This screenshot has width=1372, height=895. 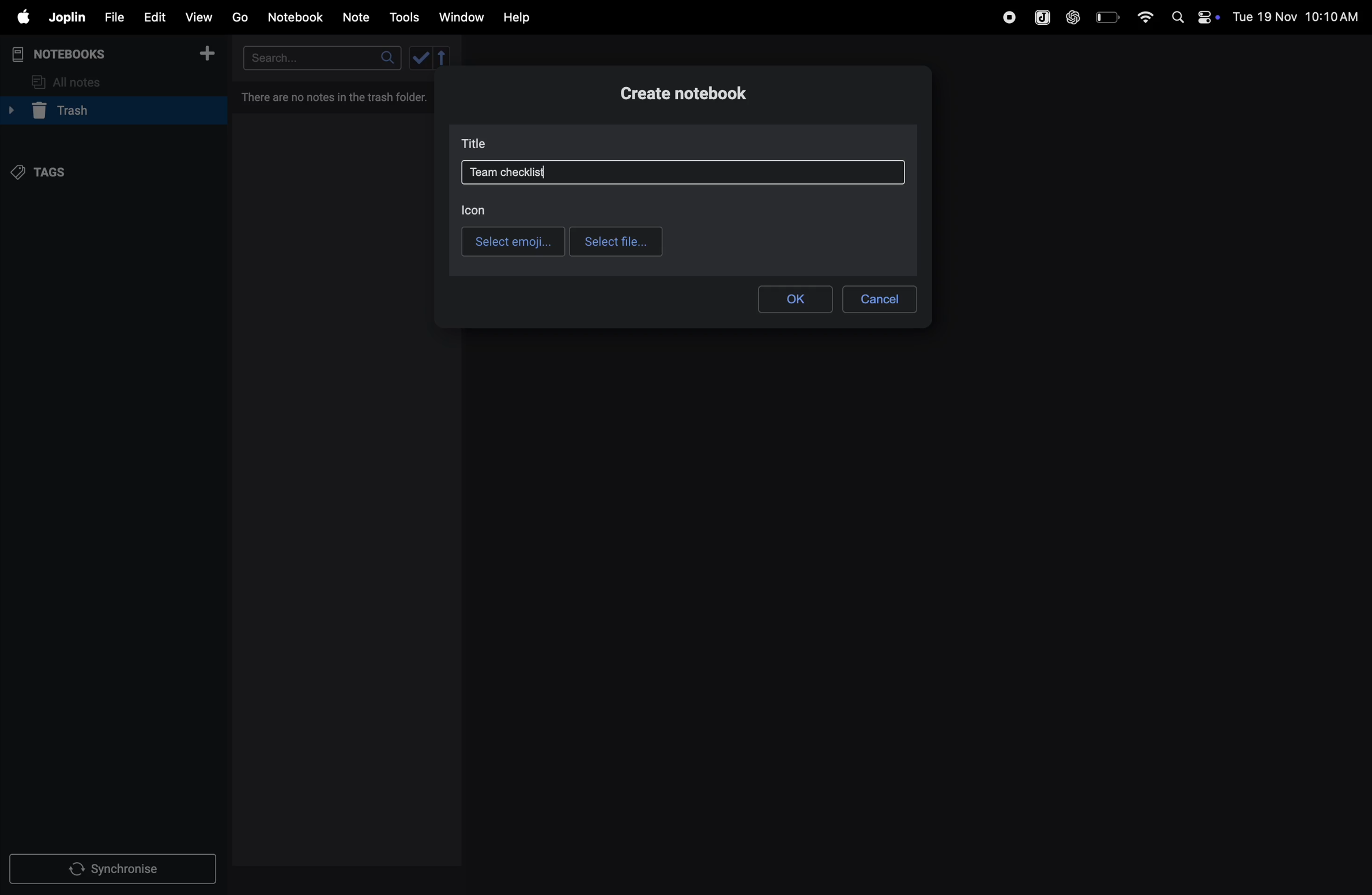 What do you see at coordinates (515, 172) in the screenshot?
I see `team checklist` at bounding box center [515, 172].